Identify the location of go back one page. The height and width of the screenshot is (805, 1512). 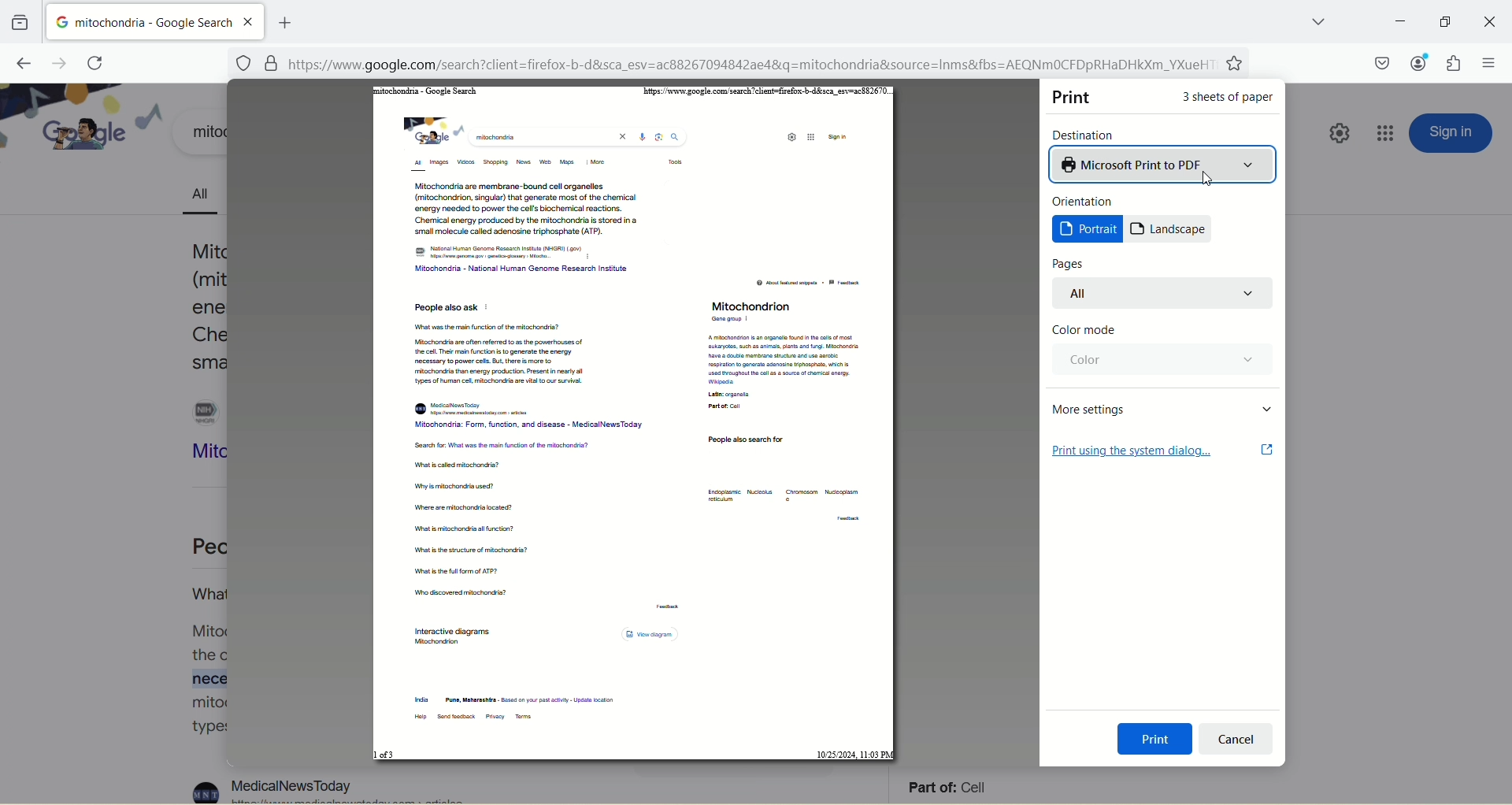
(21, 61).